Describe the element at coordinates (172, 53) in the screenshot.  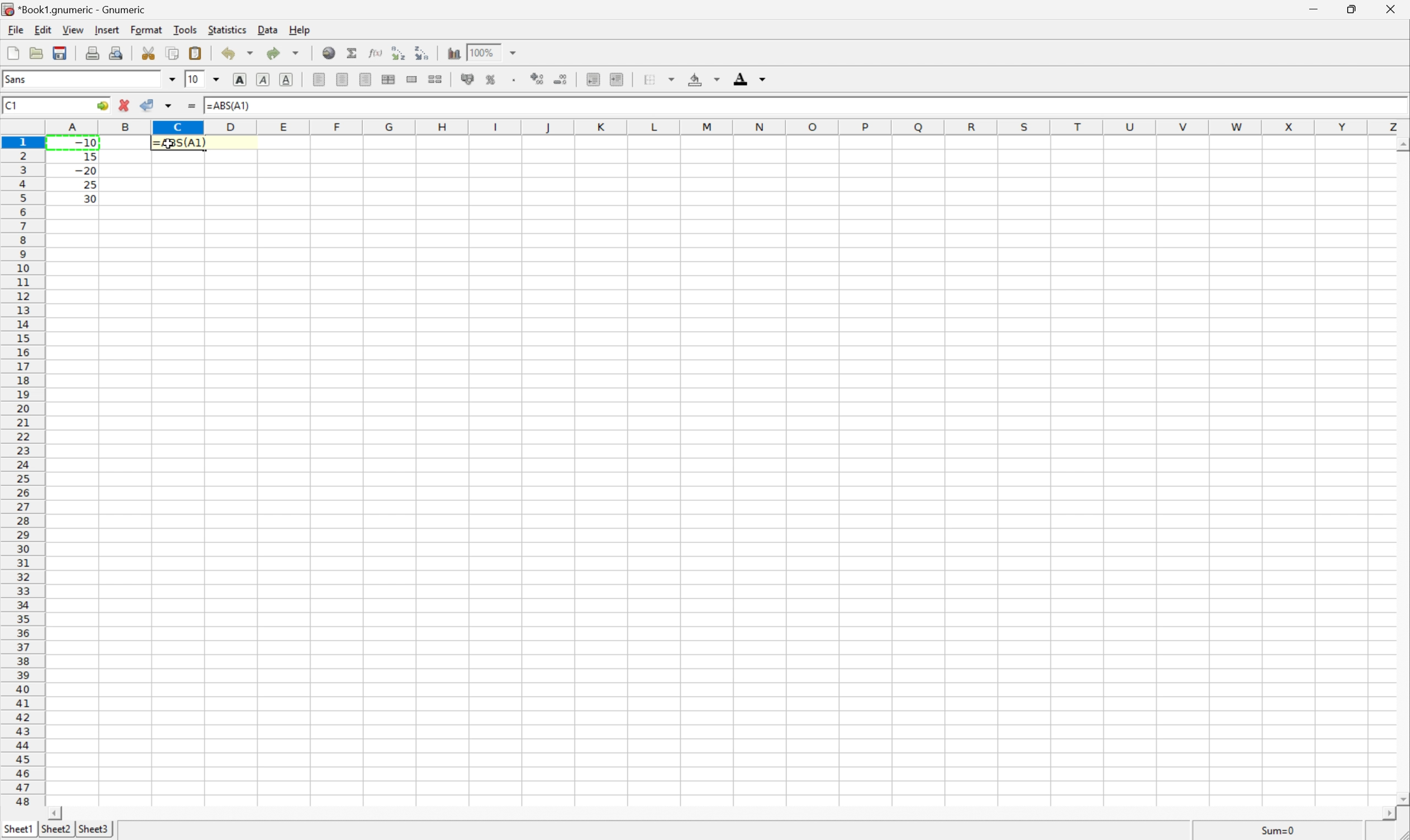
I see `Copy the selection` at that location.